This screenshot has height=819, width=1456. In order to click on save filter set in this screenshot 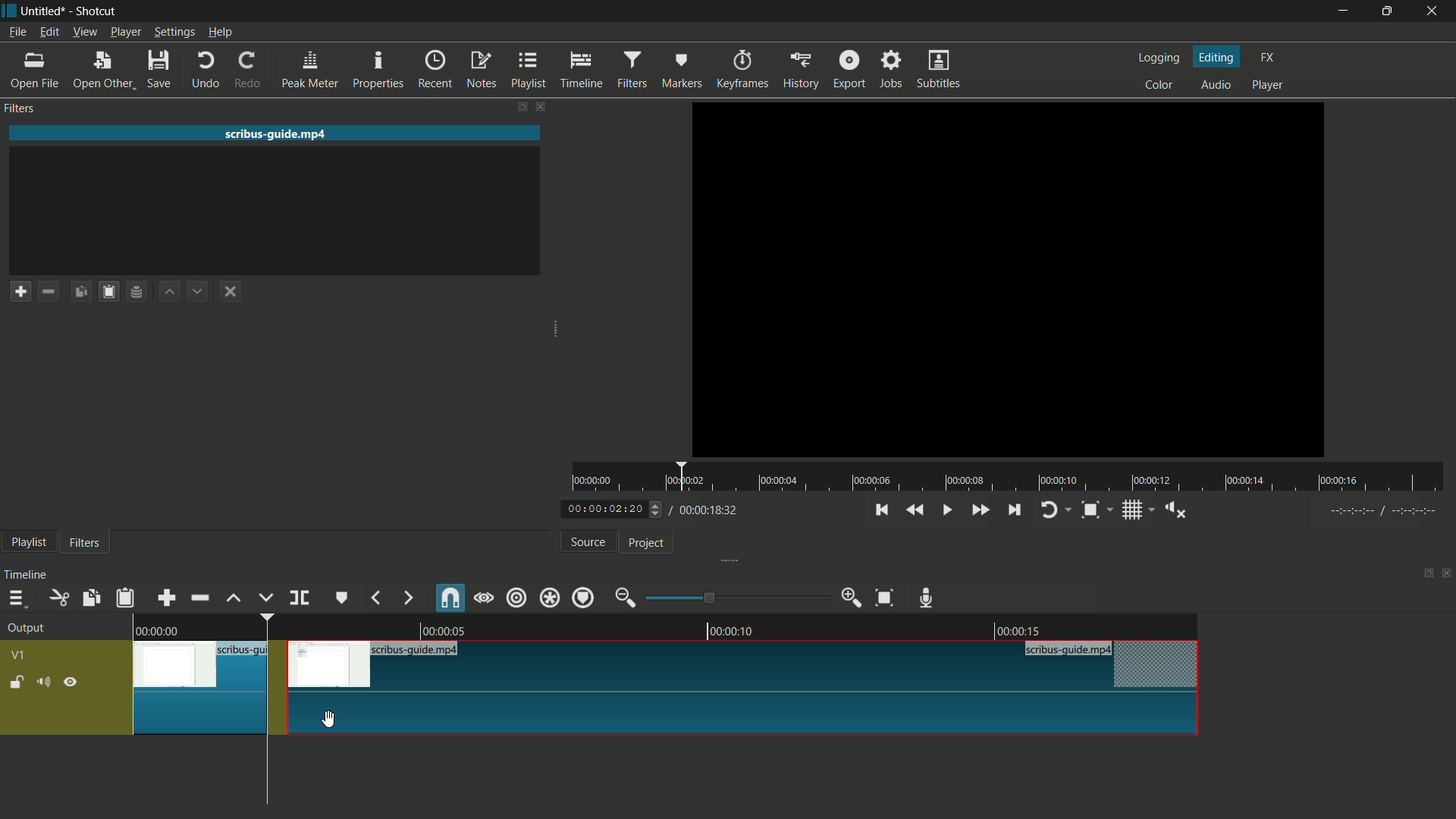, I will do `click(137, 293)`.